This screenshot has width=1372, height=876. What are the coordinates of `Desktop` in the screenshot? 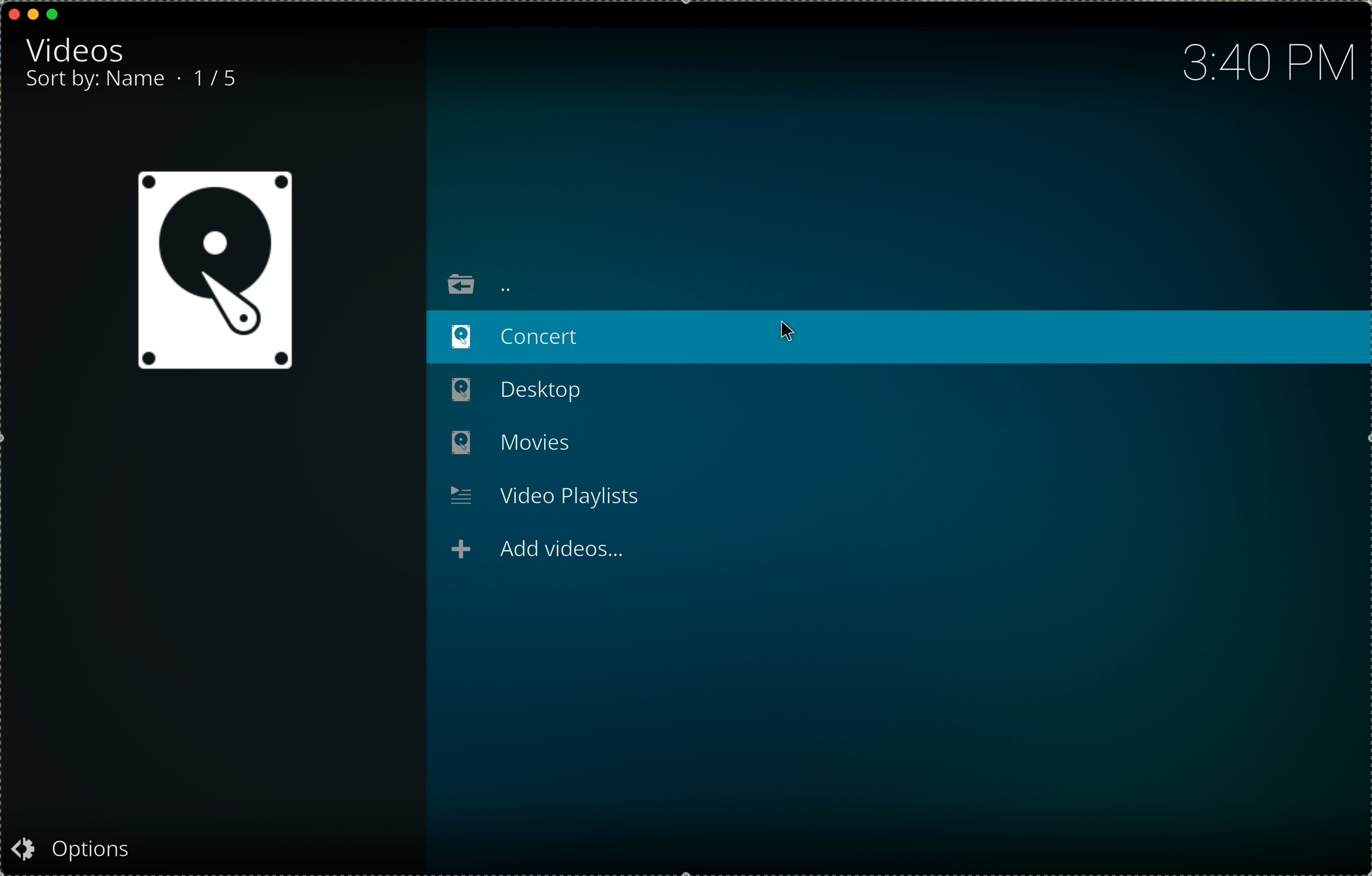 It's located at (526, 391).